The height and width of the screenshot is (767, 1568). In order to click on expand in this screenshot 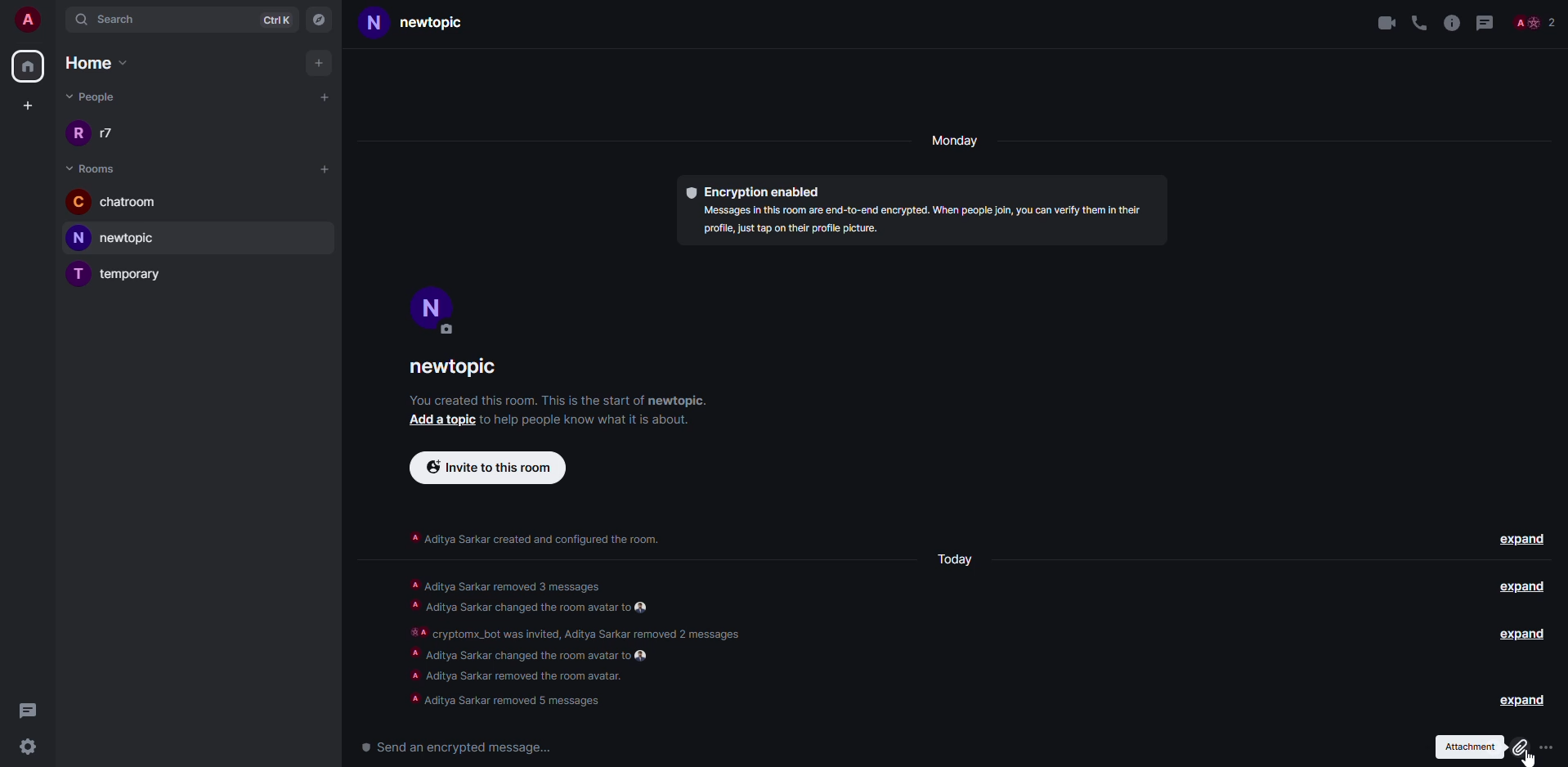, I will do `click(1520, 587)`.